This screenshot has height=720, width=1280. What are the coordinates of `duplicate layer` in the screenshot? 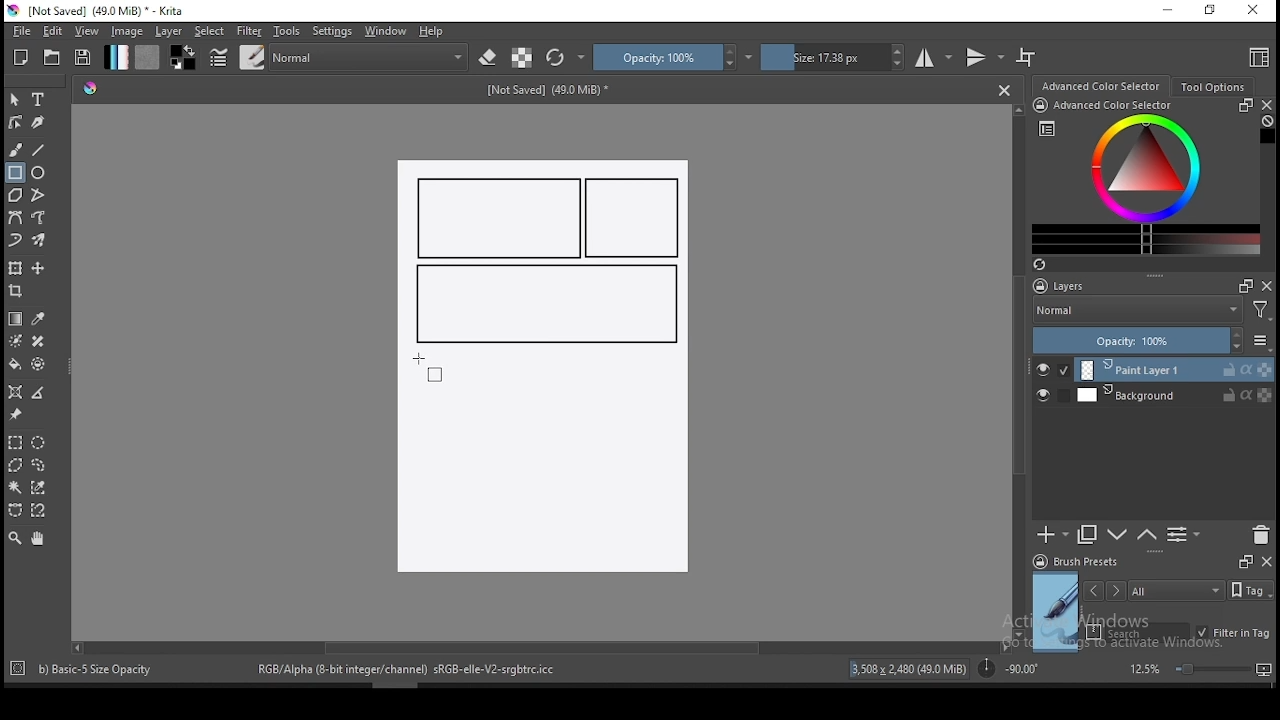 It's located at (1088, 534).